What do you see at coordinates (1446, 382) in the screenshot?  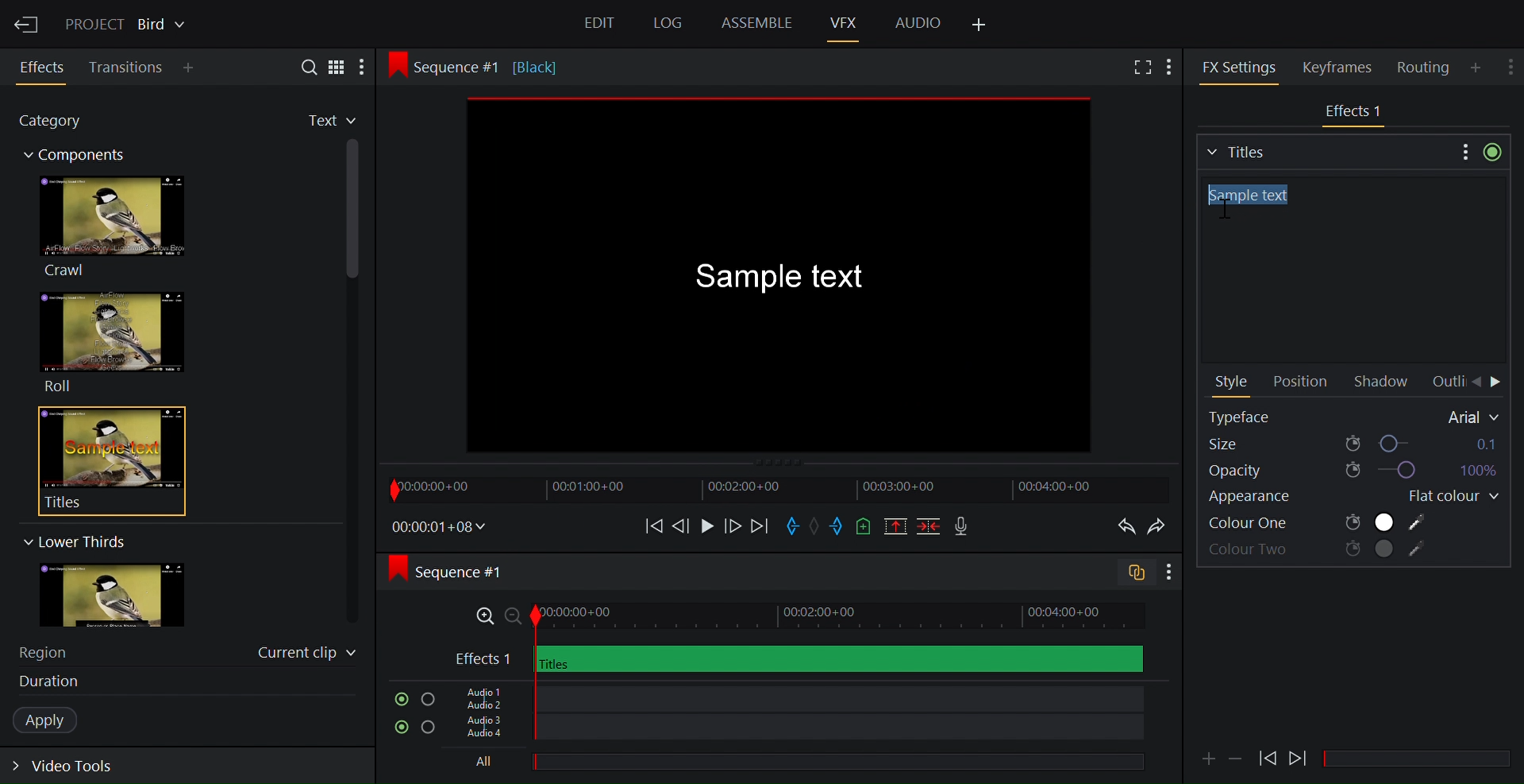 I see `Outline` at bounding box center [1446, 382].